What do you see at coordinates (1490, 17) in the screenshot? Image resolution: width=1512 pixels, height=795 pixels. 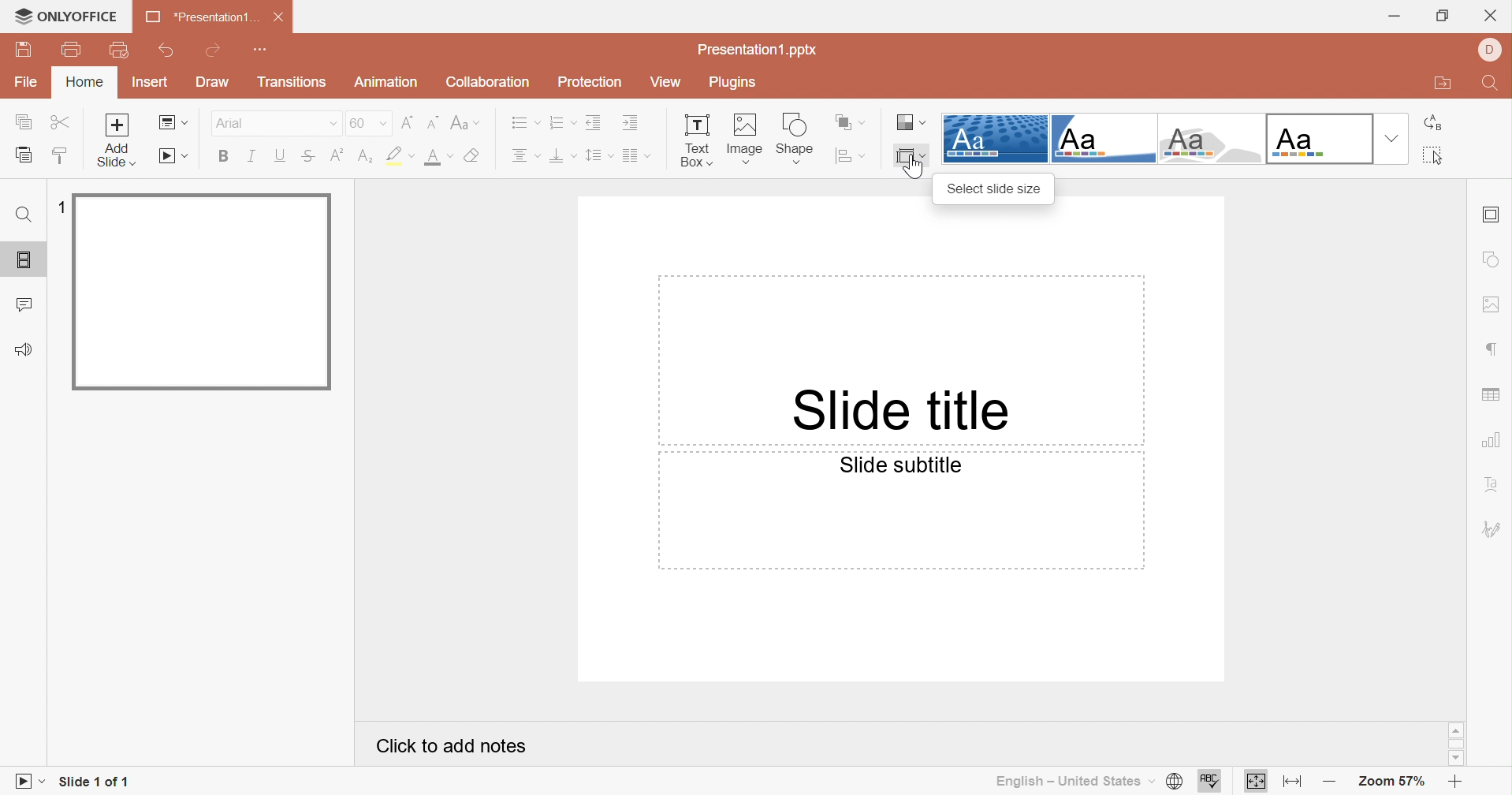 I see `Close` at bounding box center [1490, 17].